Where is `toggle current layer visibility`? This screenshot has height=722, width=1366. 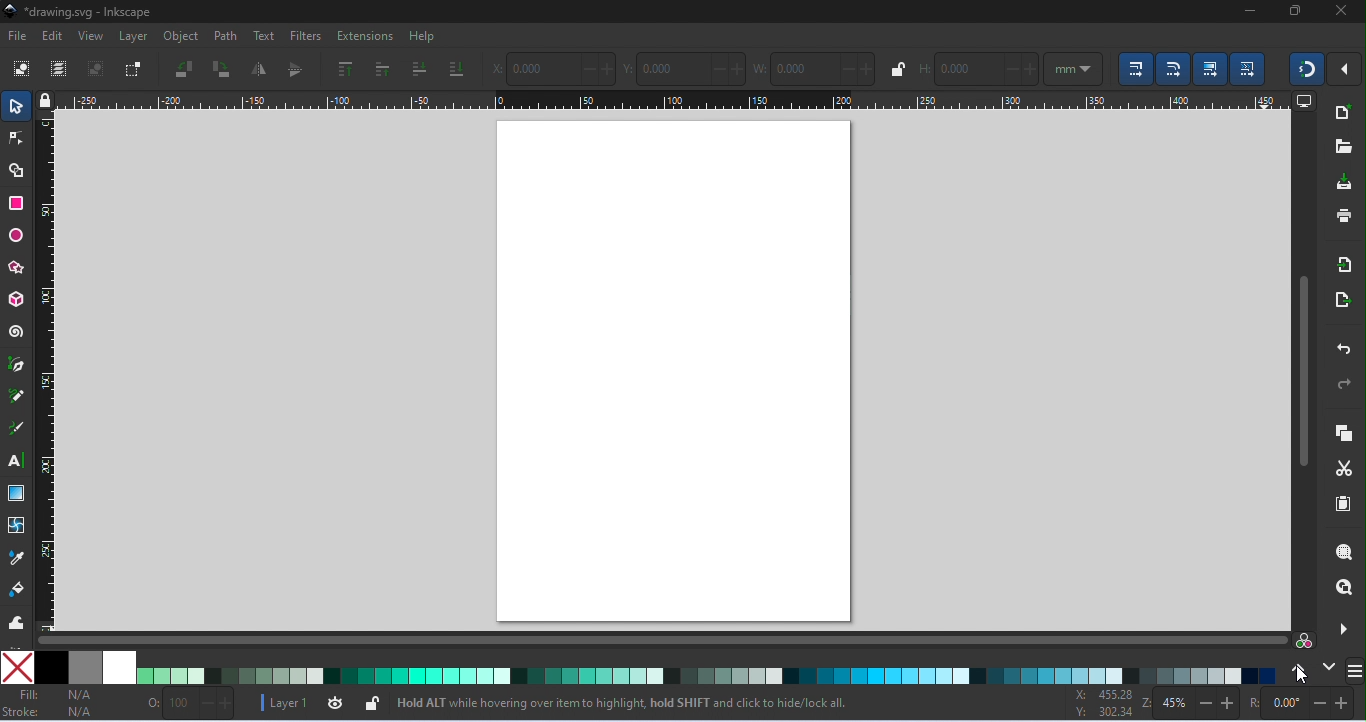
toggle current layer visibility is located at coordinates (334, 702).